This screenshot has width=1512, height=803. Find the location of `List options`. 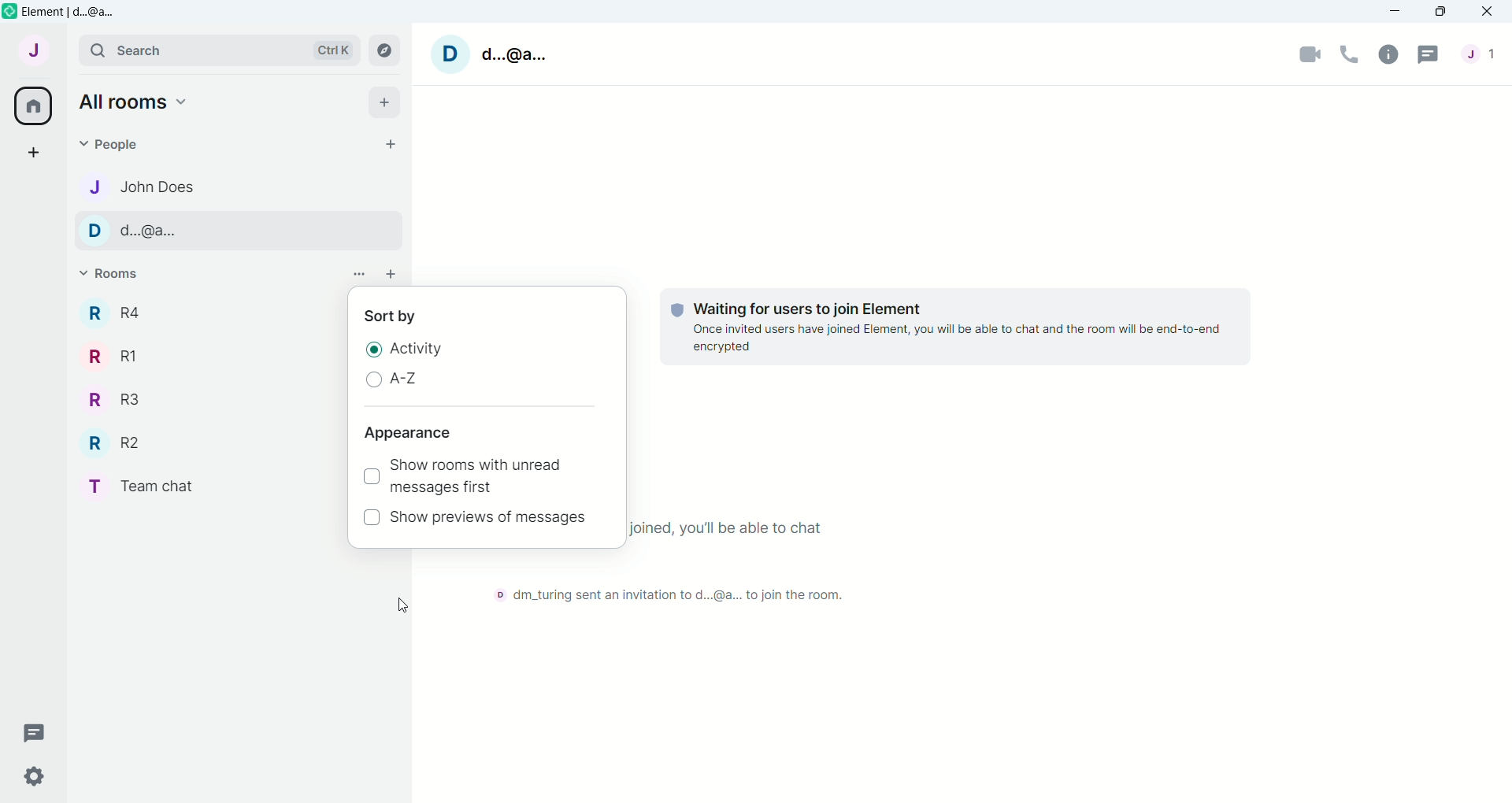

List options is located at coordinates (360, 274).